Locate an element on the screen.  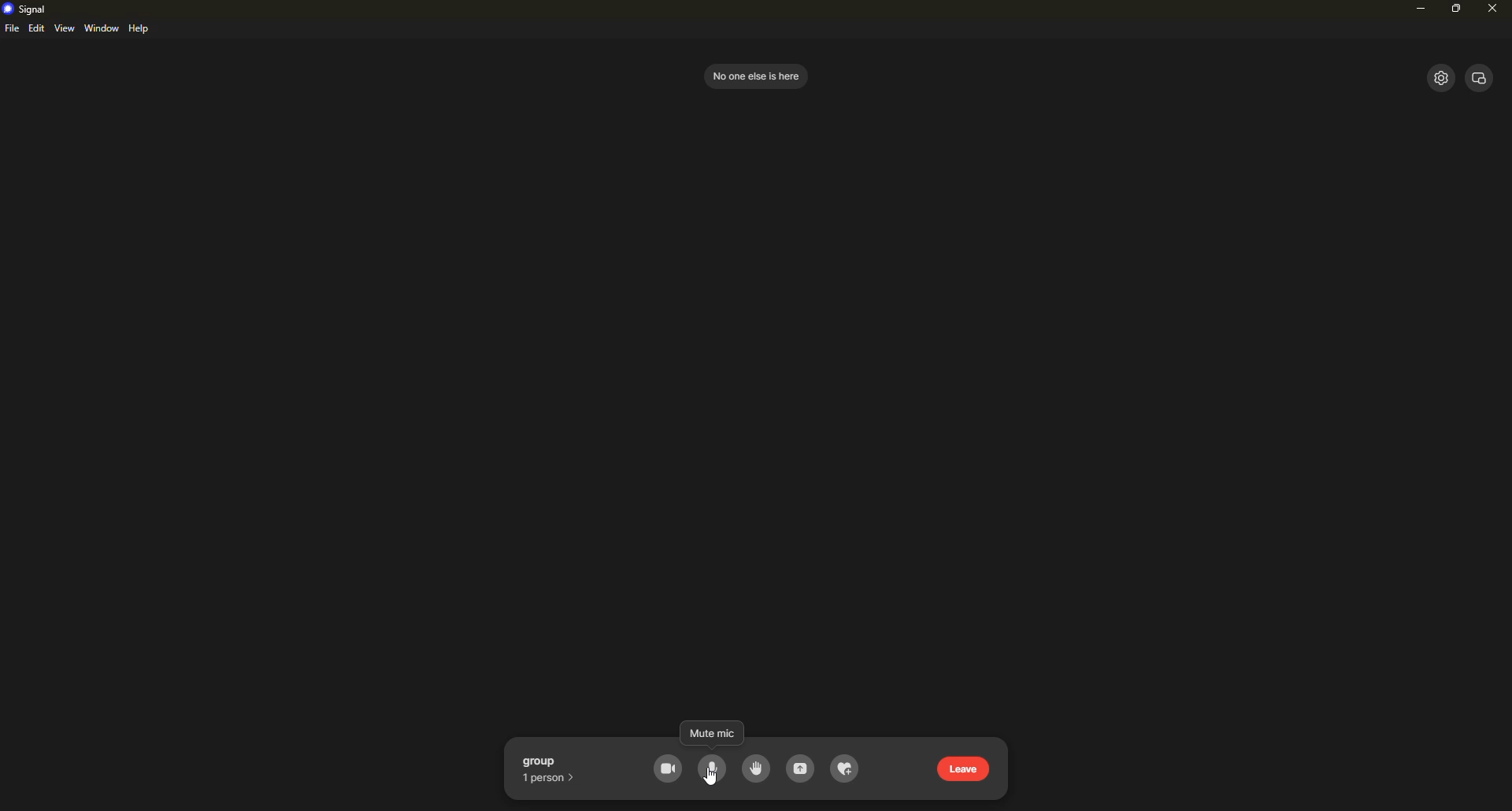
mute mic is located at coordinates (710, 735).